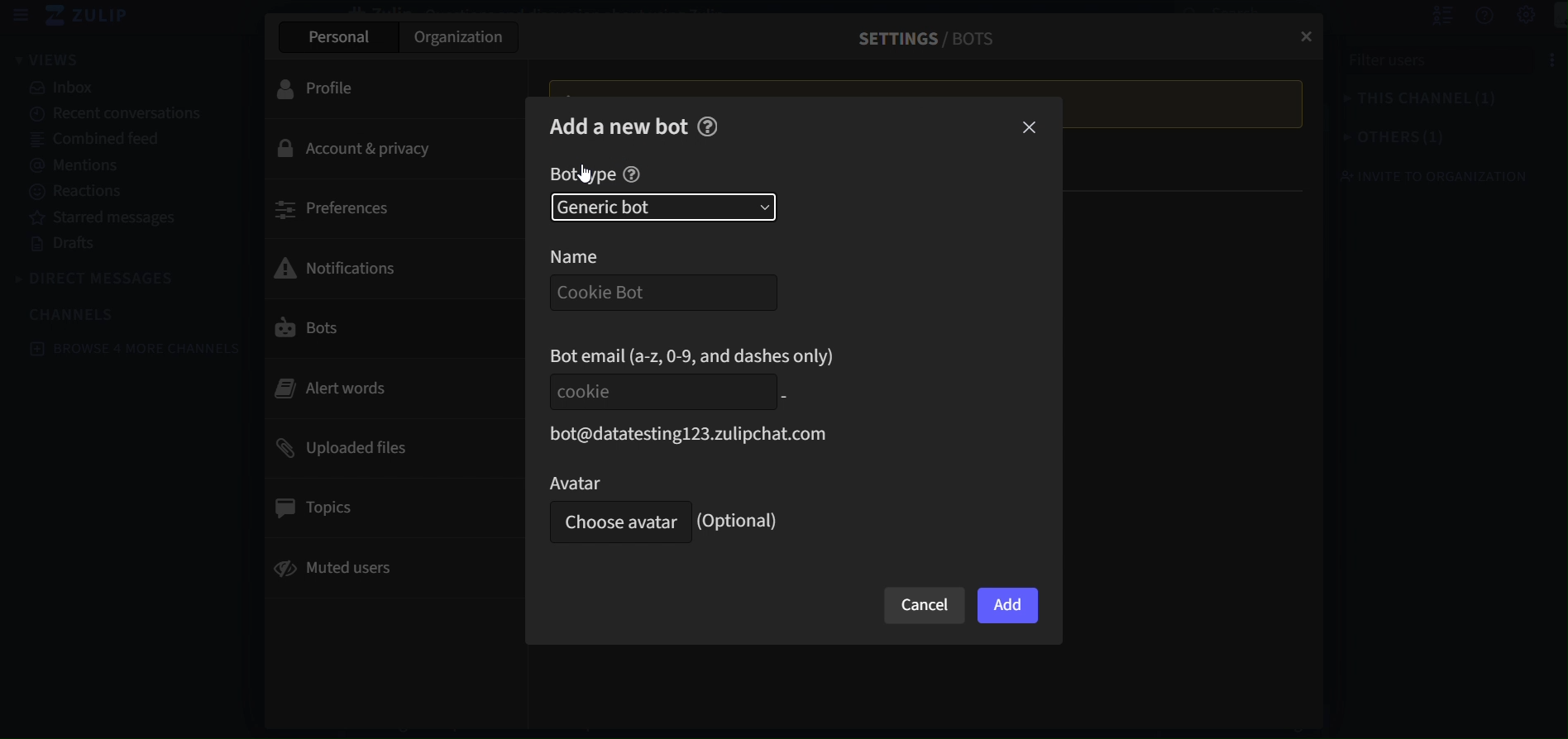 This screenshot has width=1568, height=739. Describe the element at coordinates (653, 482) in the screenshot. I see `avatar` at that location.